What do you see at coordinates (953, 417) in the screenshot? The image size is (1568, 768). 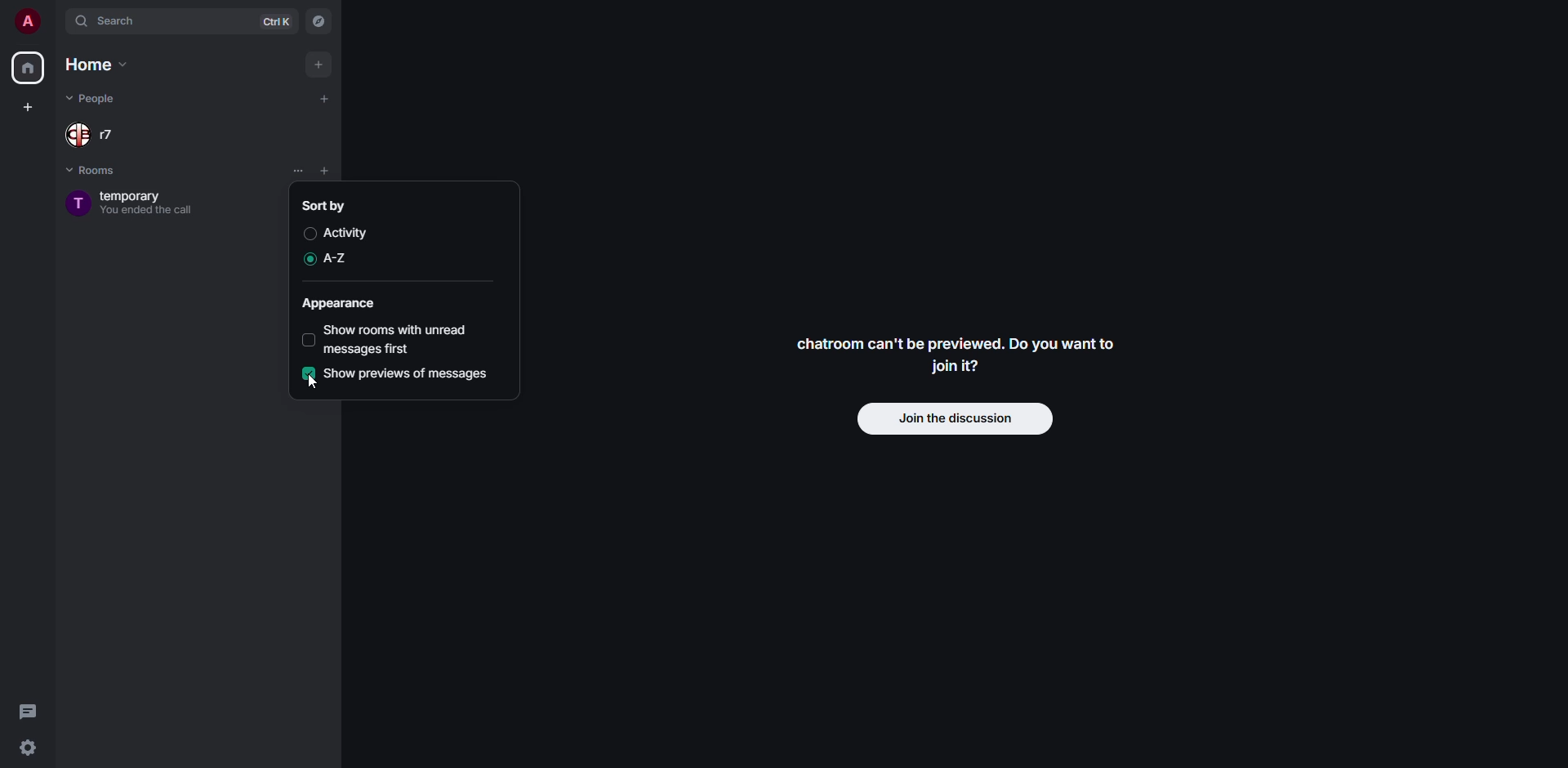 I see `join discussion` at bounding box center [953, 417].